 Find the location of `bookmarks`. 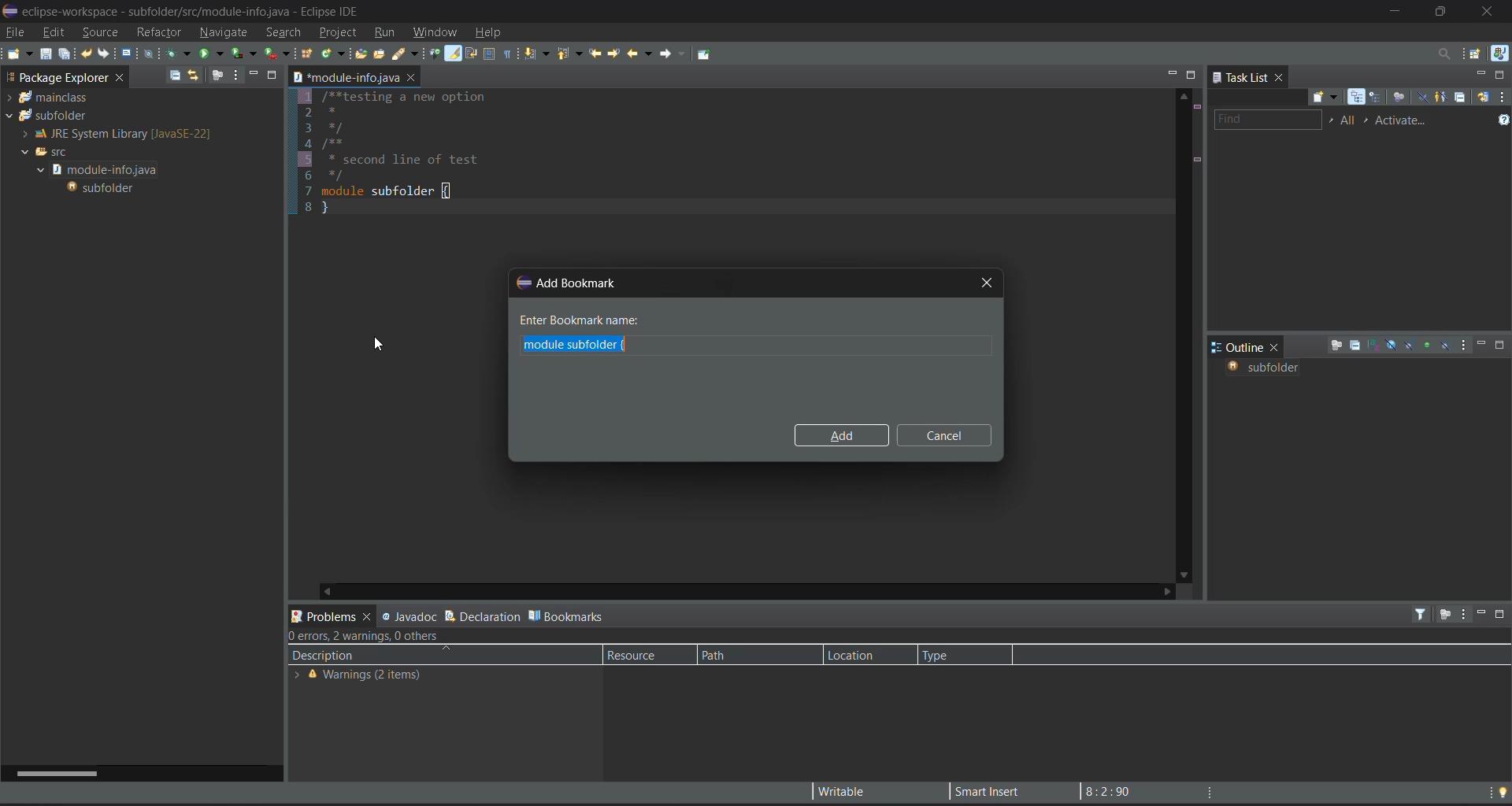

bookmarks is located at coordinates (568, 615).